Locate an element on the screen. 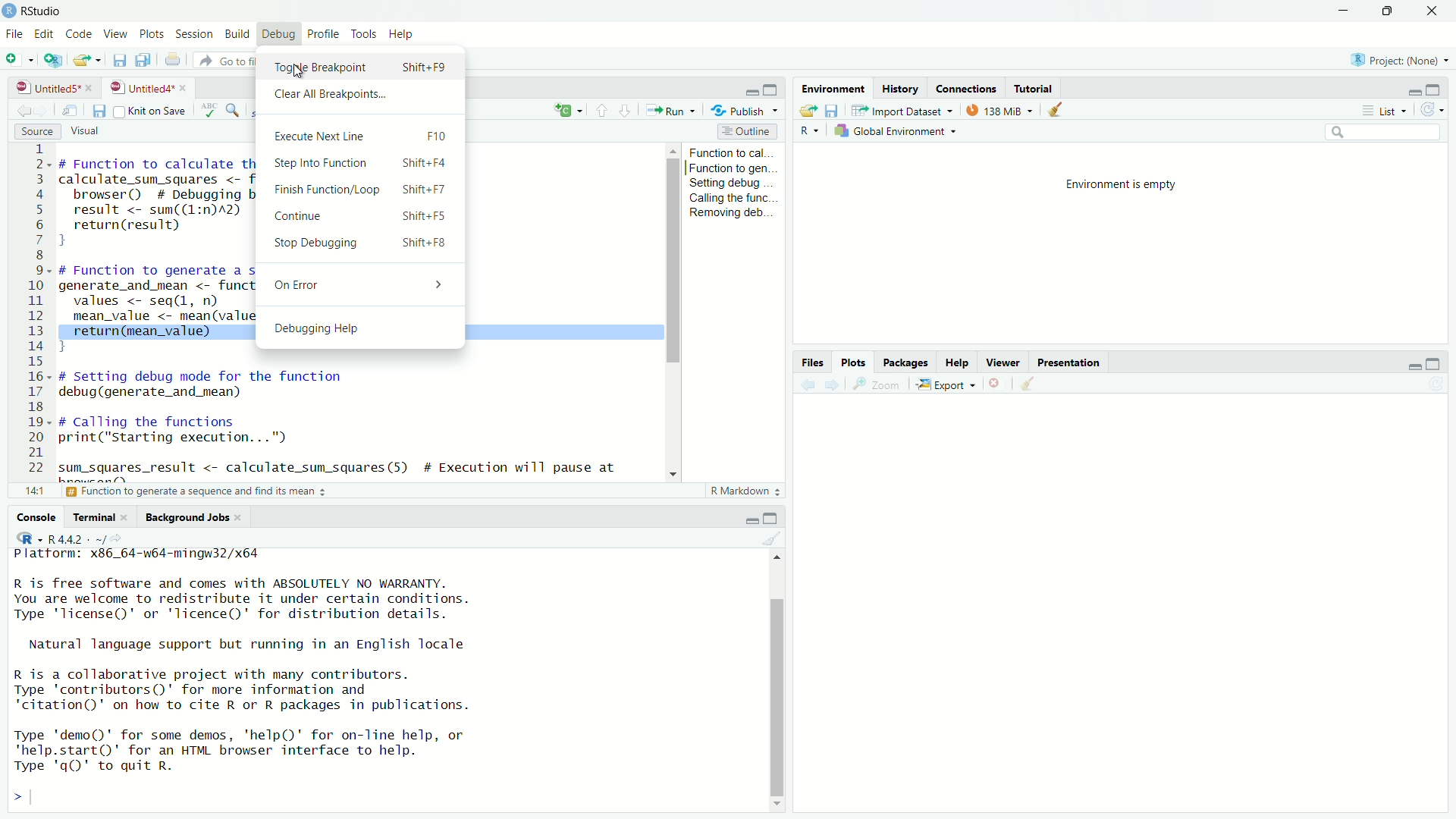 The height and width of the screenshot is (819, 1456). environment is located at coordinates (832, 86).